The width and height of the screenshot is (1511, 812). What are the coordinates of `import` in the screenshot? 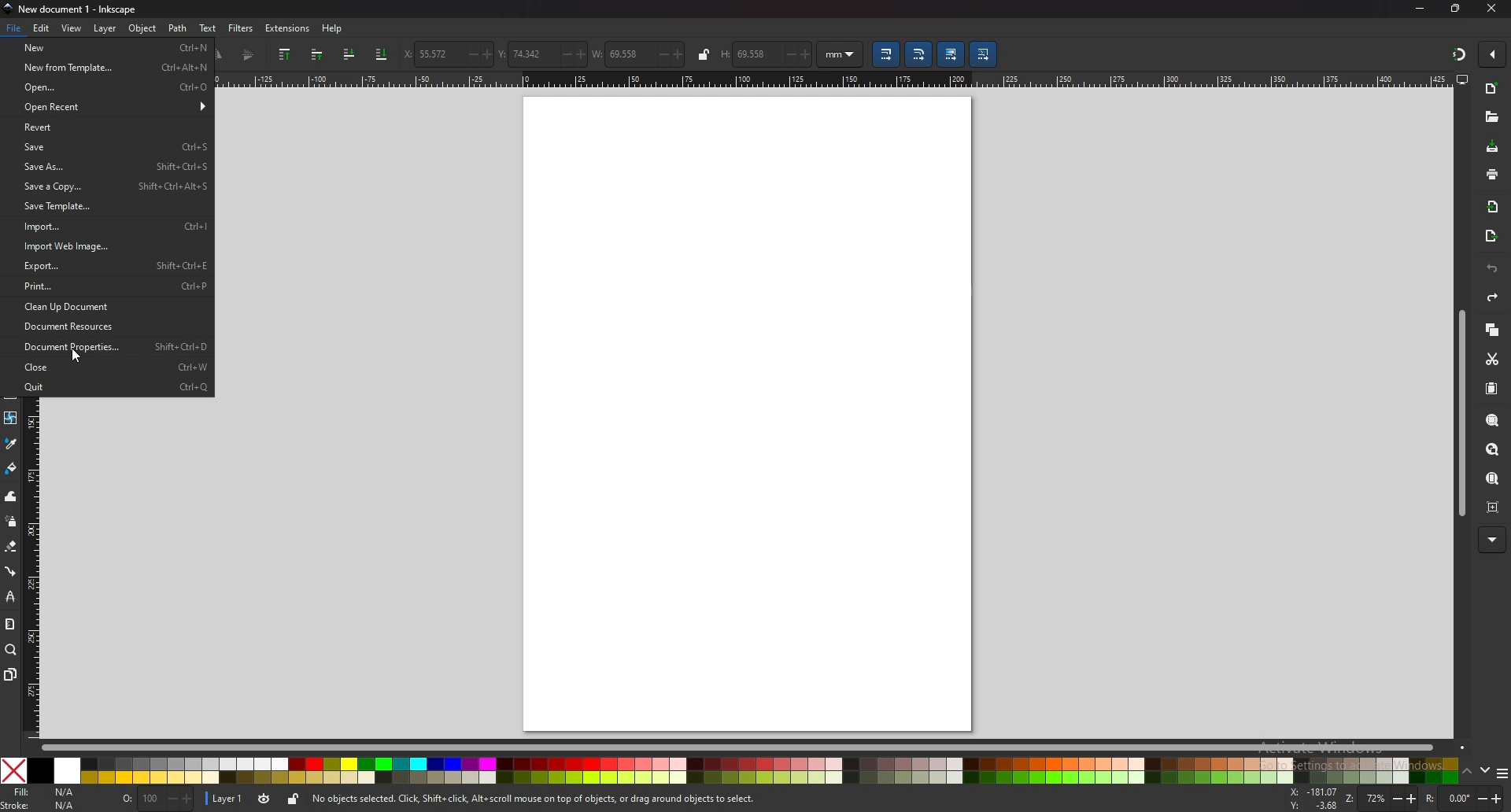 It's located at (110, 228).